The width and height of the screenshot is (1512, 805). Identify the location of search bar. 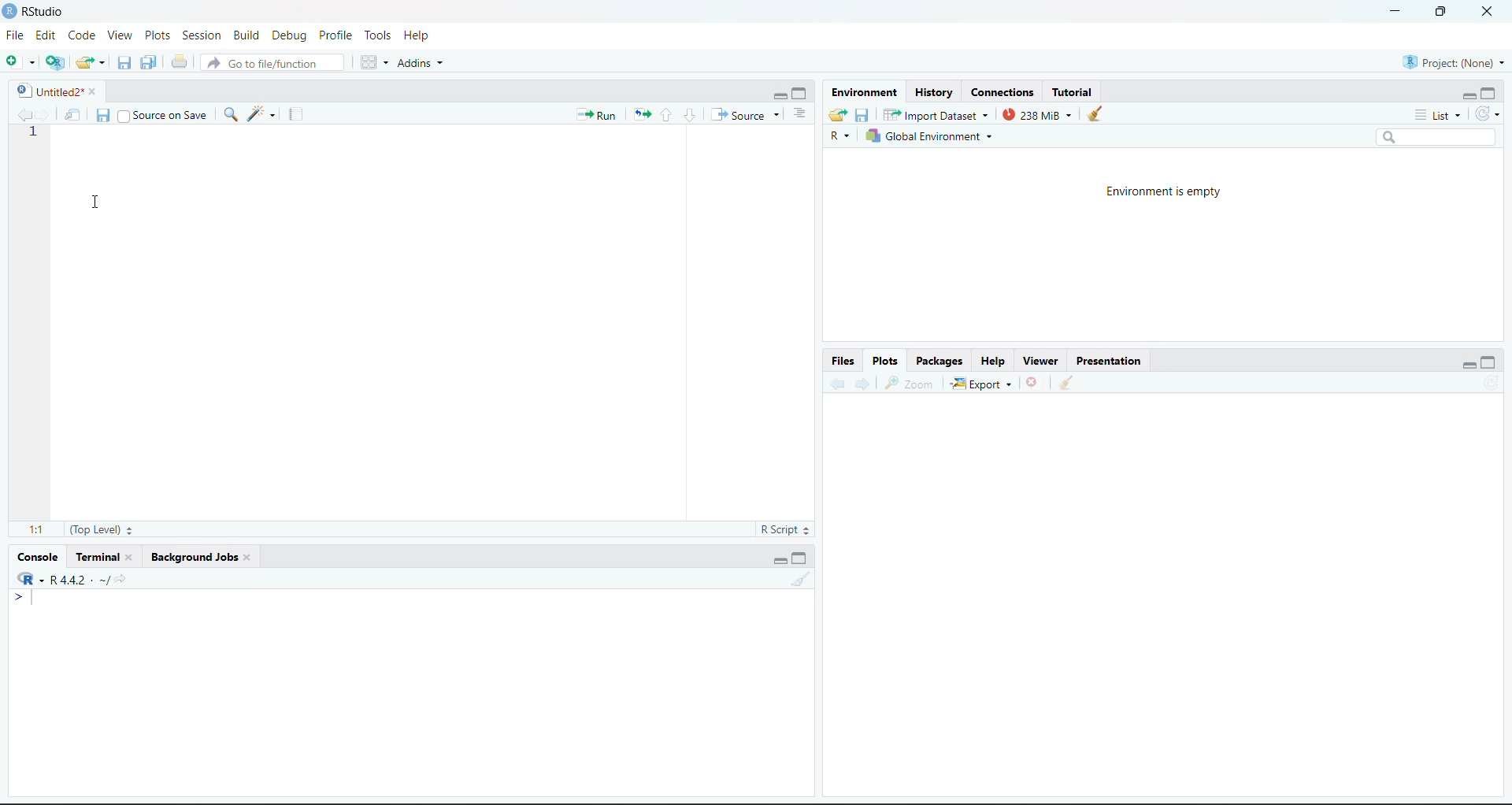
(1435, 137).